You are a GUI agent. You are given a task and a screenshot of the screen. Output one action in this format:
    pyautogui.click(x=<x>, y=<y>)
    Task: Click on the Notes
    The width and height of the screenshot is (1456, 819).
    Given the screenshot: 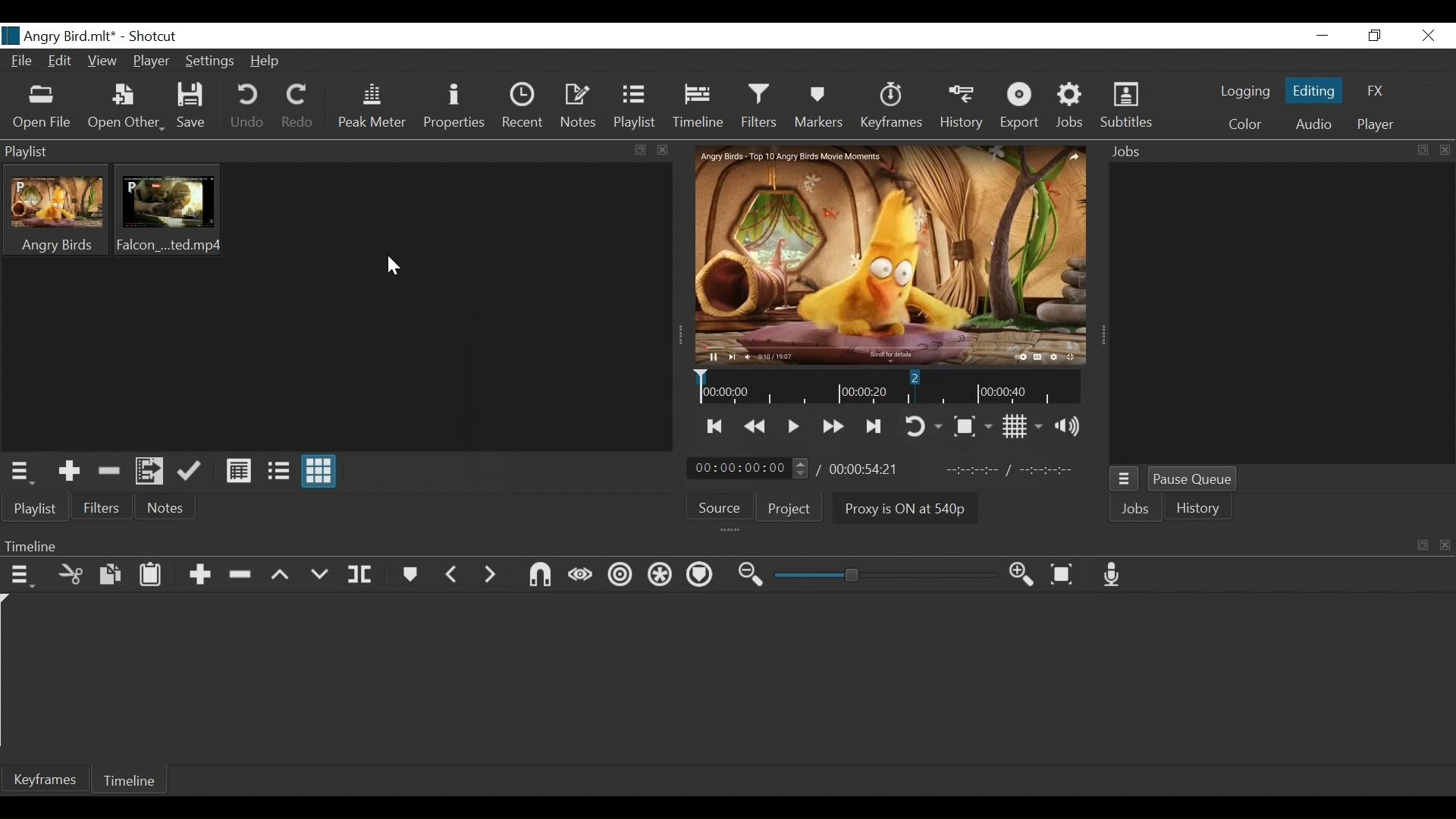 What is the action you would take?
    pyautogui.click(x=582, y=105)
    